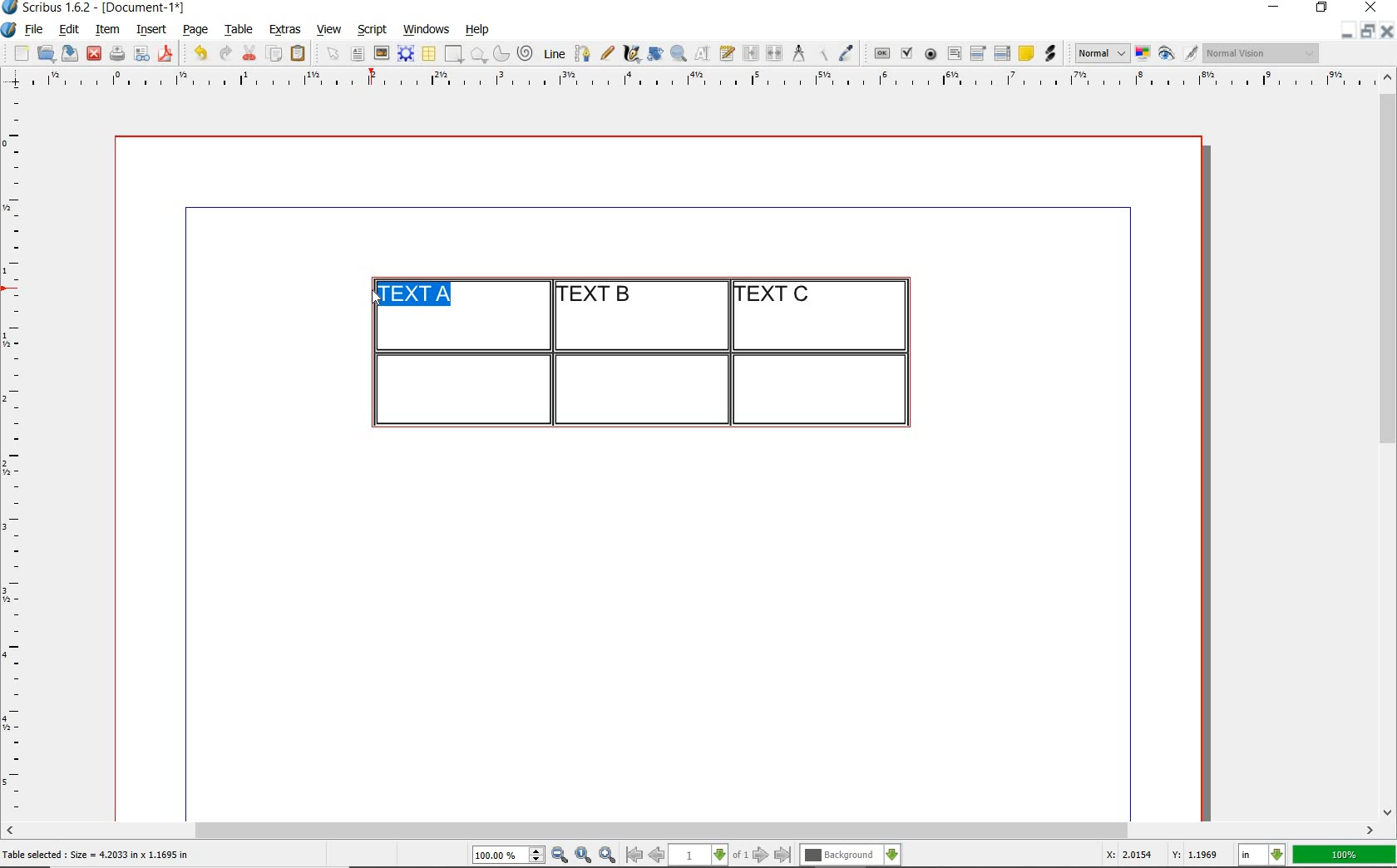 The height and width of the screenshot is (868, 1397). I want to click on rotate item, so click(655, 53).